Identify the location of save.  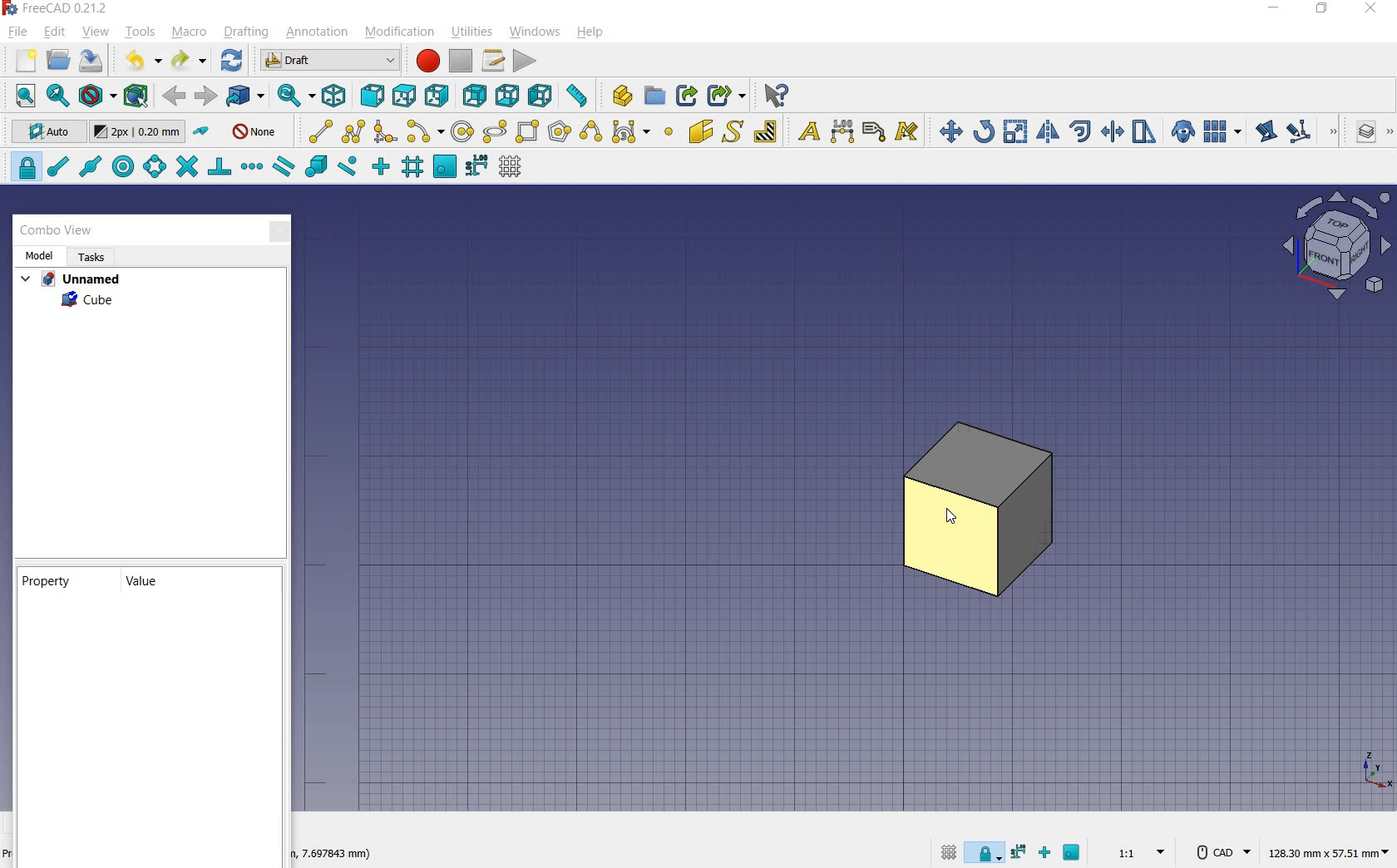
(91, 62).